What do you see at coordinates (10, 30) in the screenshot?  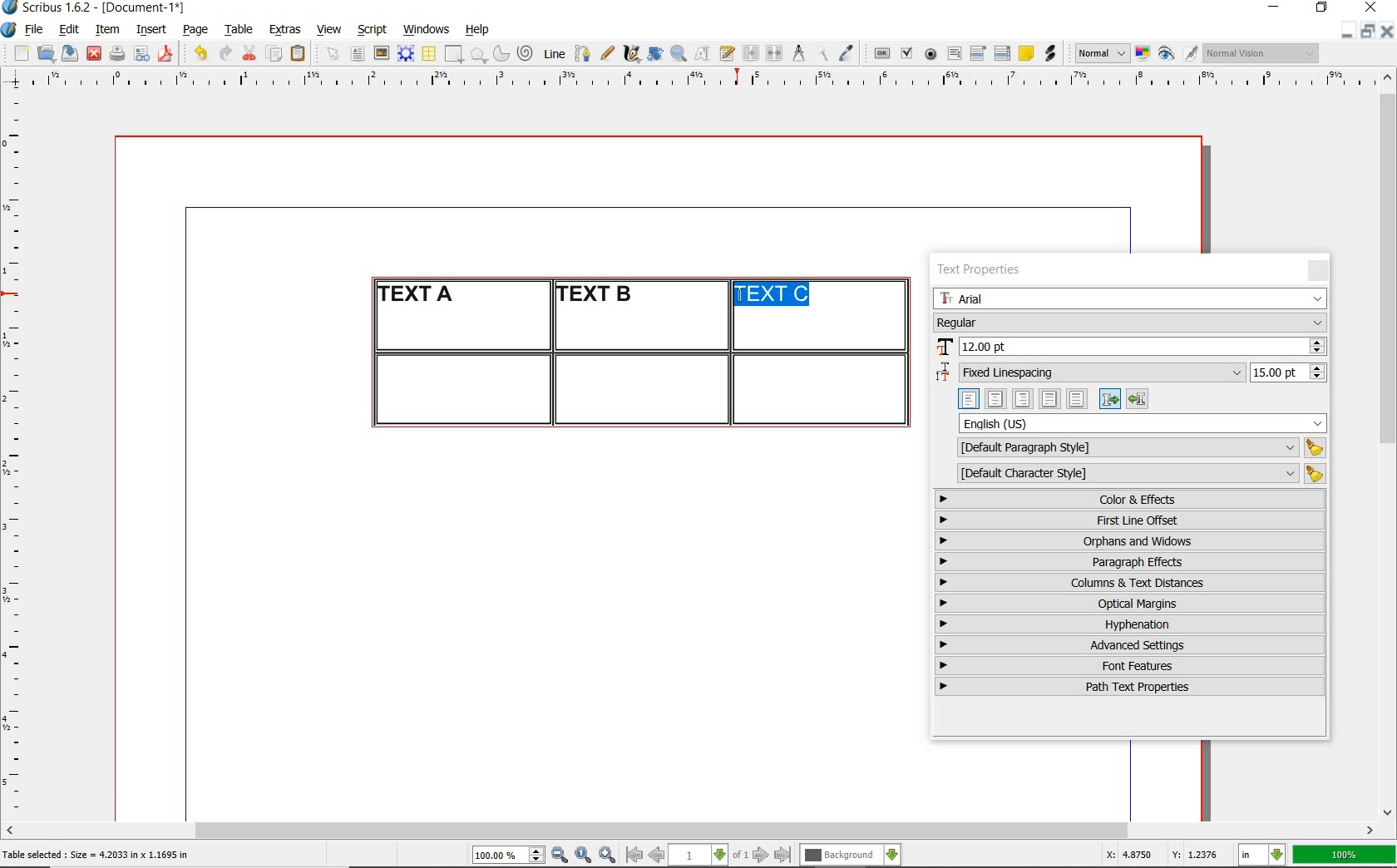 I see `system logo` at bounding box center [10, 30].